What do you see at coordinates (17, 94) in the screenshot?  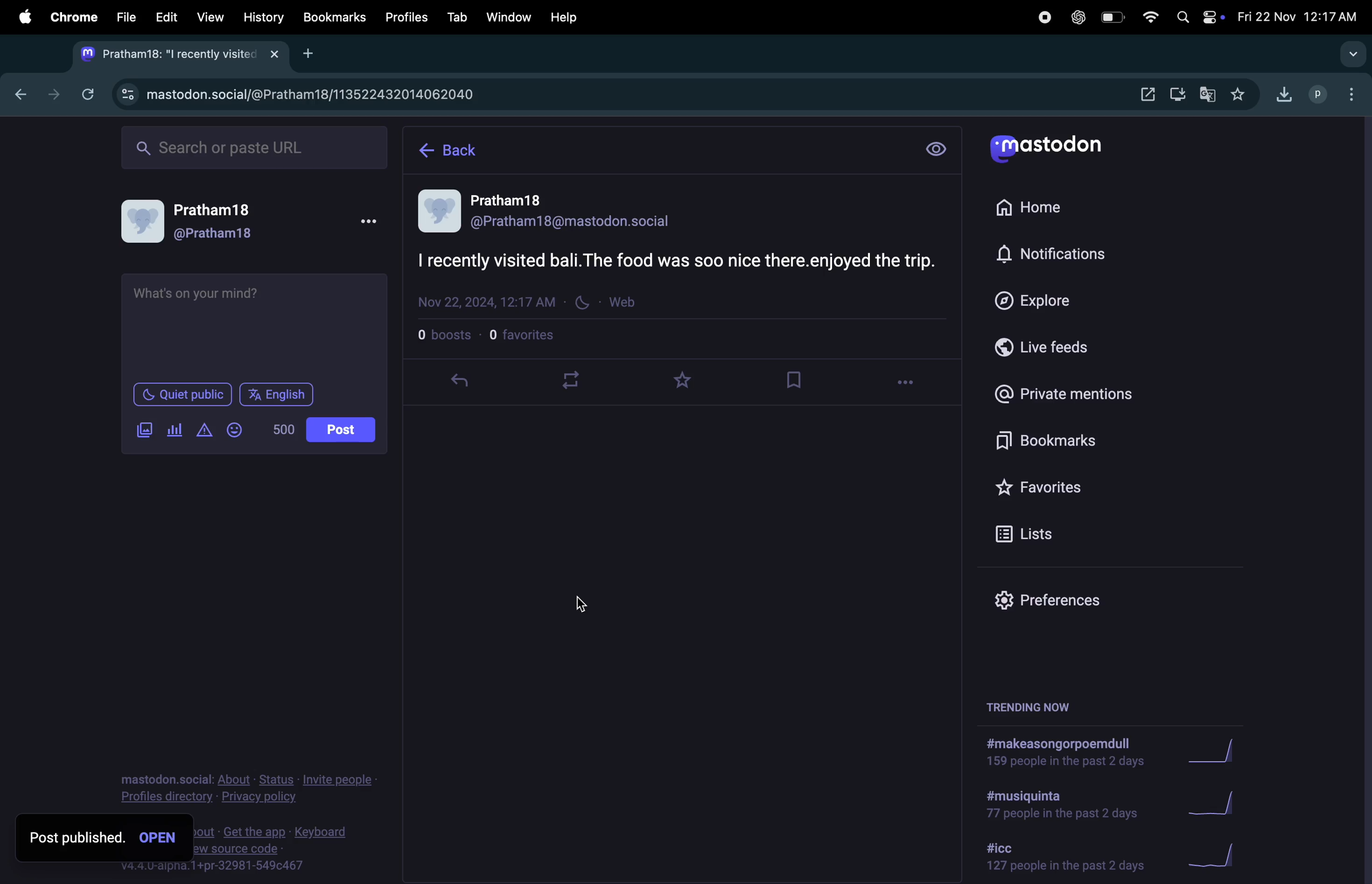 I see `backtab` at bounding box center [17, 94].